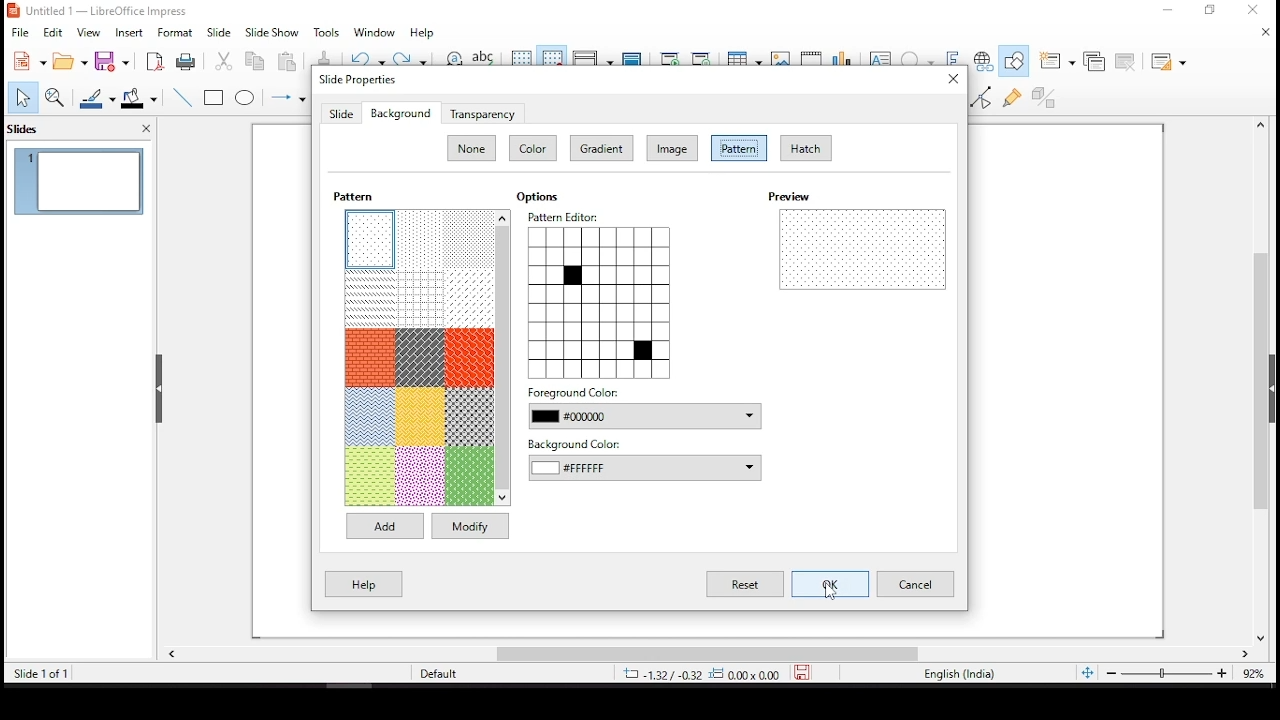 The width and height of the screenshot is (1280, 720). What do you see at coordinates (980, 98) in the screenshot?
I see `toggle point edit mode` at bounding box center [980, 98].